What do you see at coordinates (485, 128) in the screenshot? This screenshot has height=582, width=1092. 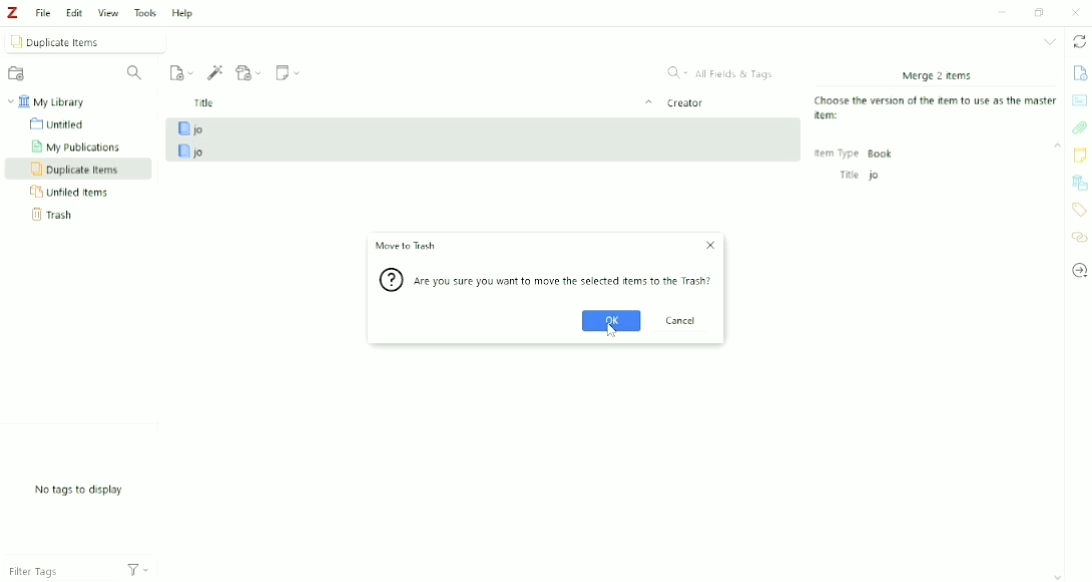 I see `jo` at bounding box center [485, 128].